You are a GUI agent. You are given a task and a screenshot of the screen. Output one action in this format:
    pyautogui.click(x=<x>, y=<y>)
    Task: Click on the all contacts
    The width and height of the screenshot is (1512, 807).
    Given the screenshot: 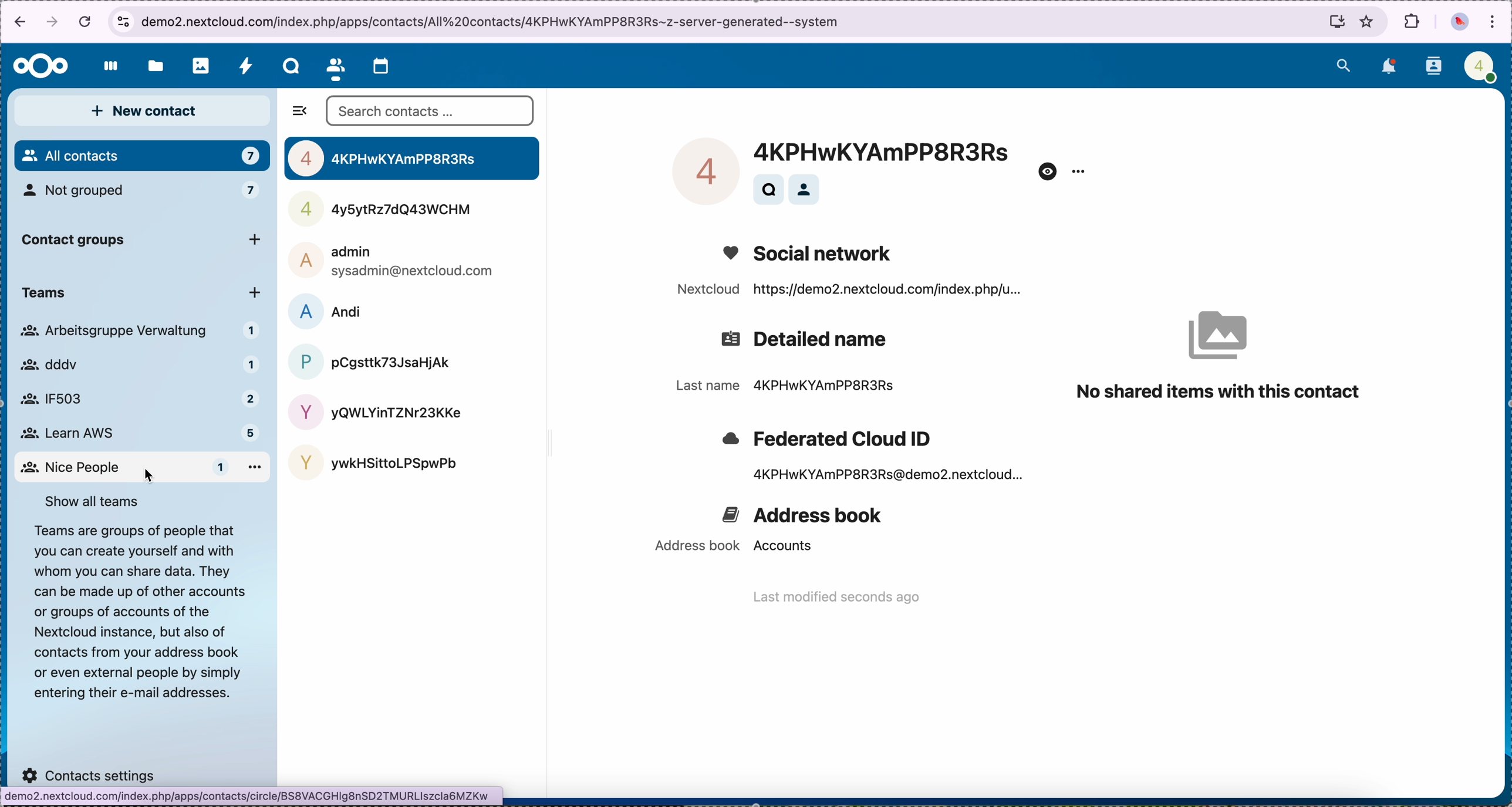 What is the action you would take?
    pyautogui.click(x=141, y=156)
    